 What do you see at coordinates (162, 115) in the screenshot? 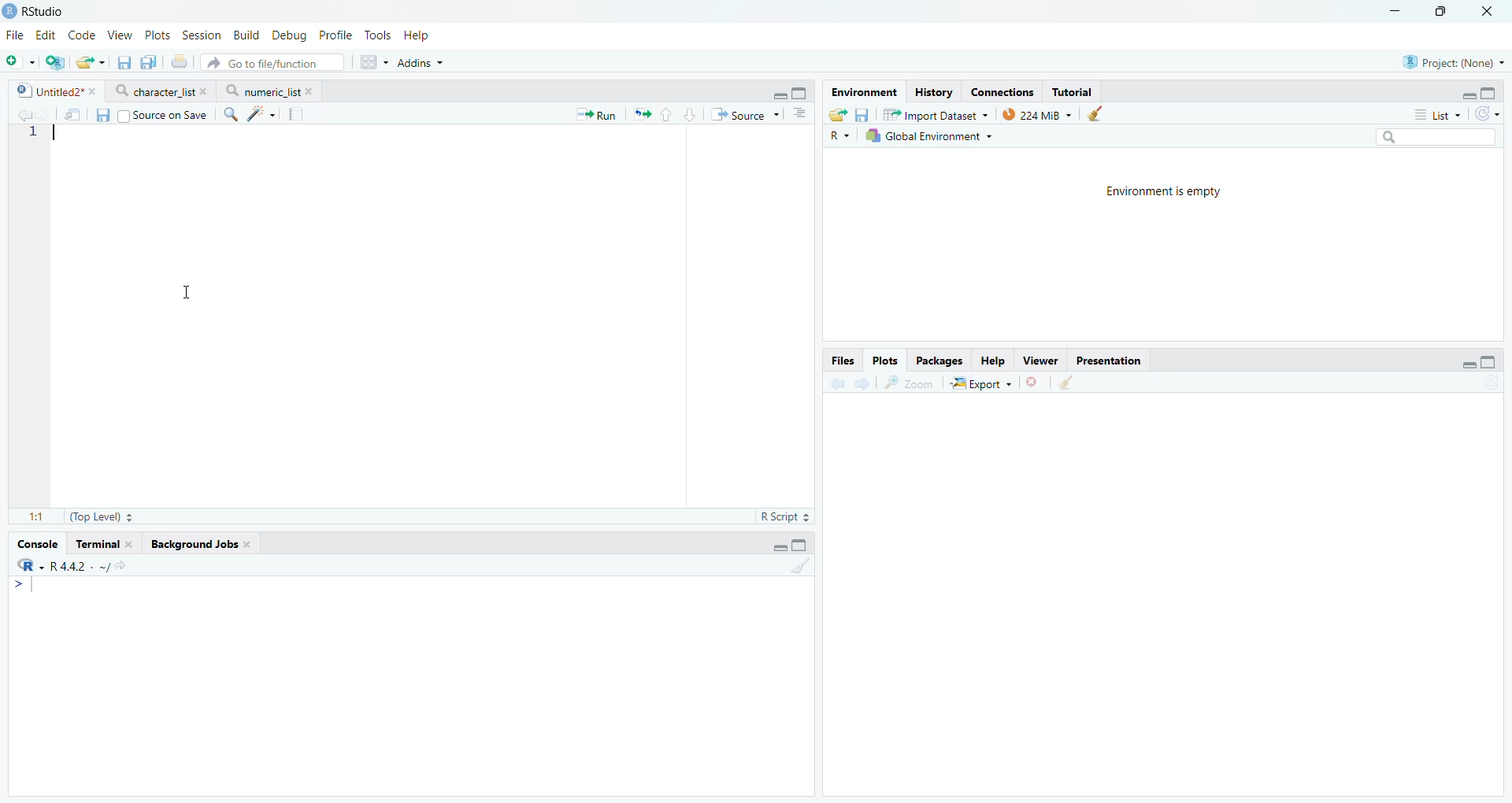
I see `Source on Save` at bounding box center [162, 115].